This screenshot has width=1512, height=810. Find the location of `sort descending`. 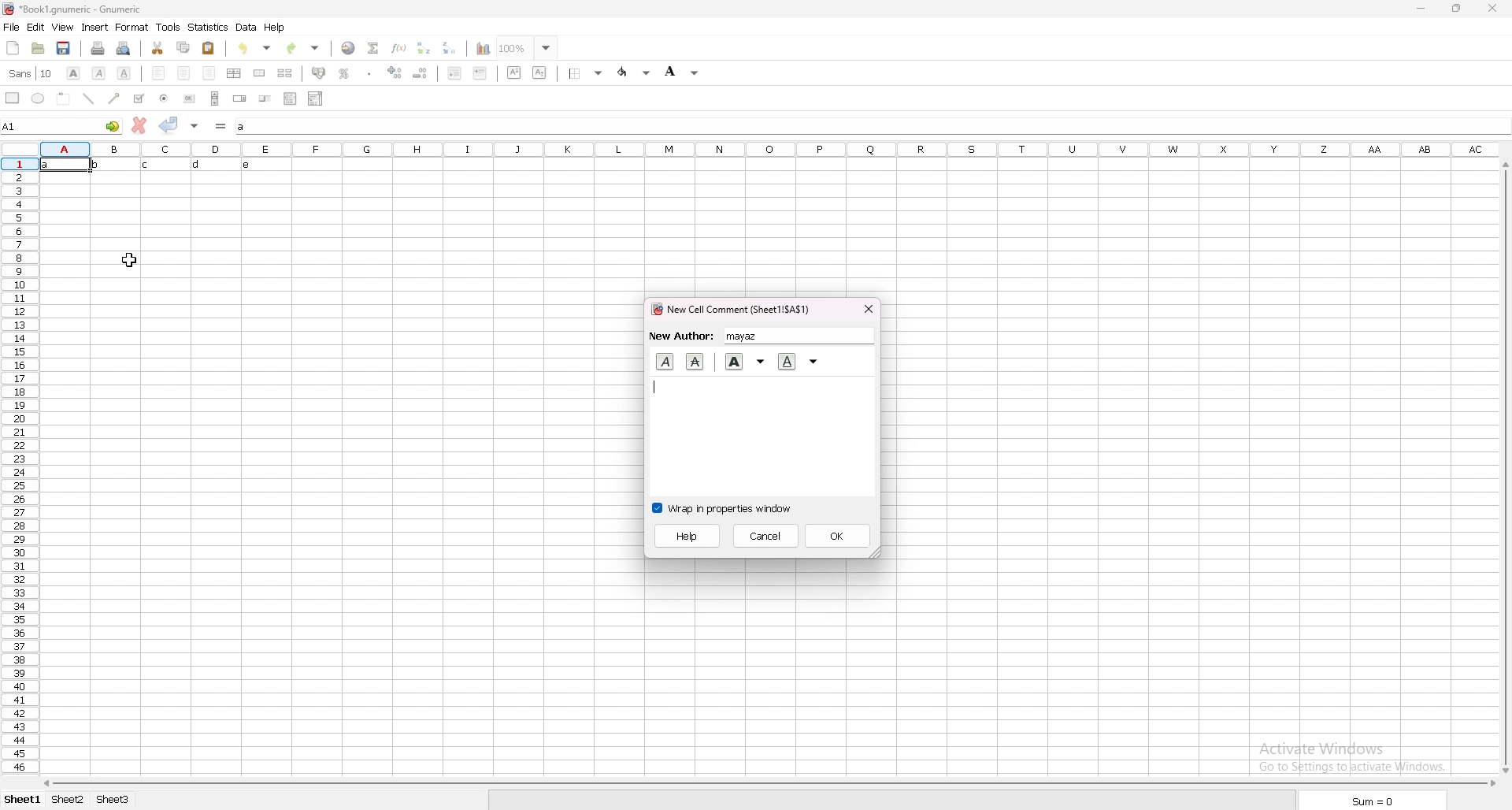

sort descending is located at coordinates (450, 48).